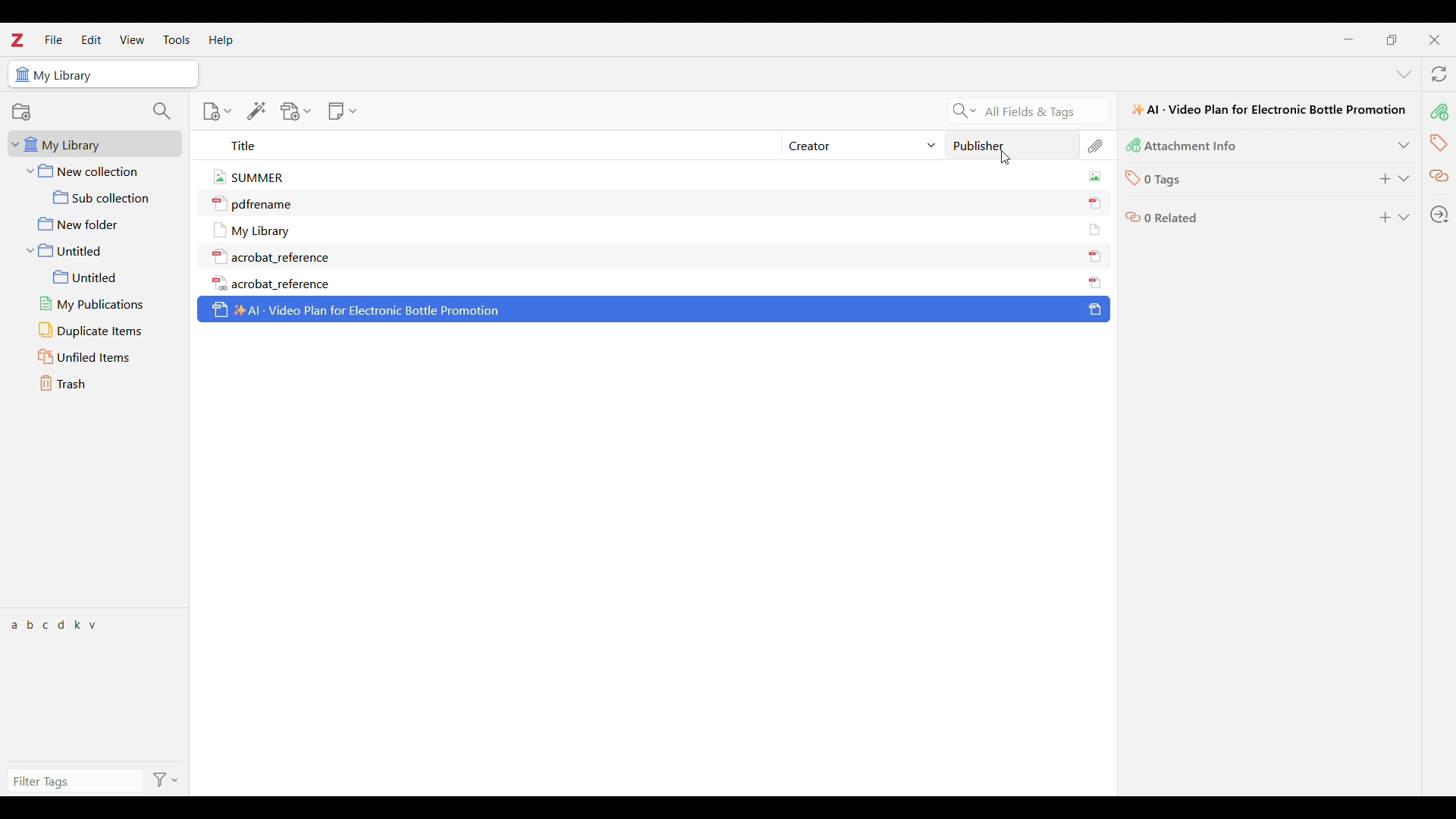 Image resolution: width=1456 pixels, height=819 pixels. What do you see at coordinates (96, 384) in the screenshot?
I see `Trash` at bounding box center [96, 384].